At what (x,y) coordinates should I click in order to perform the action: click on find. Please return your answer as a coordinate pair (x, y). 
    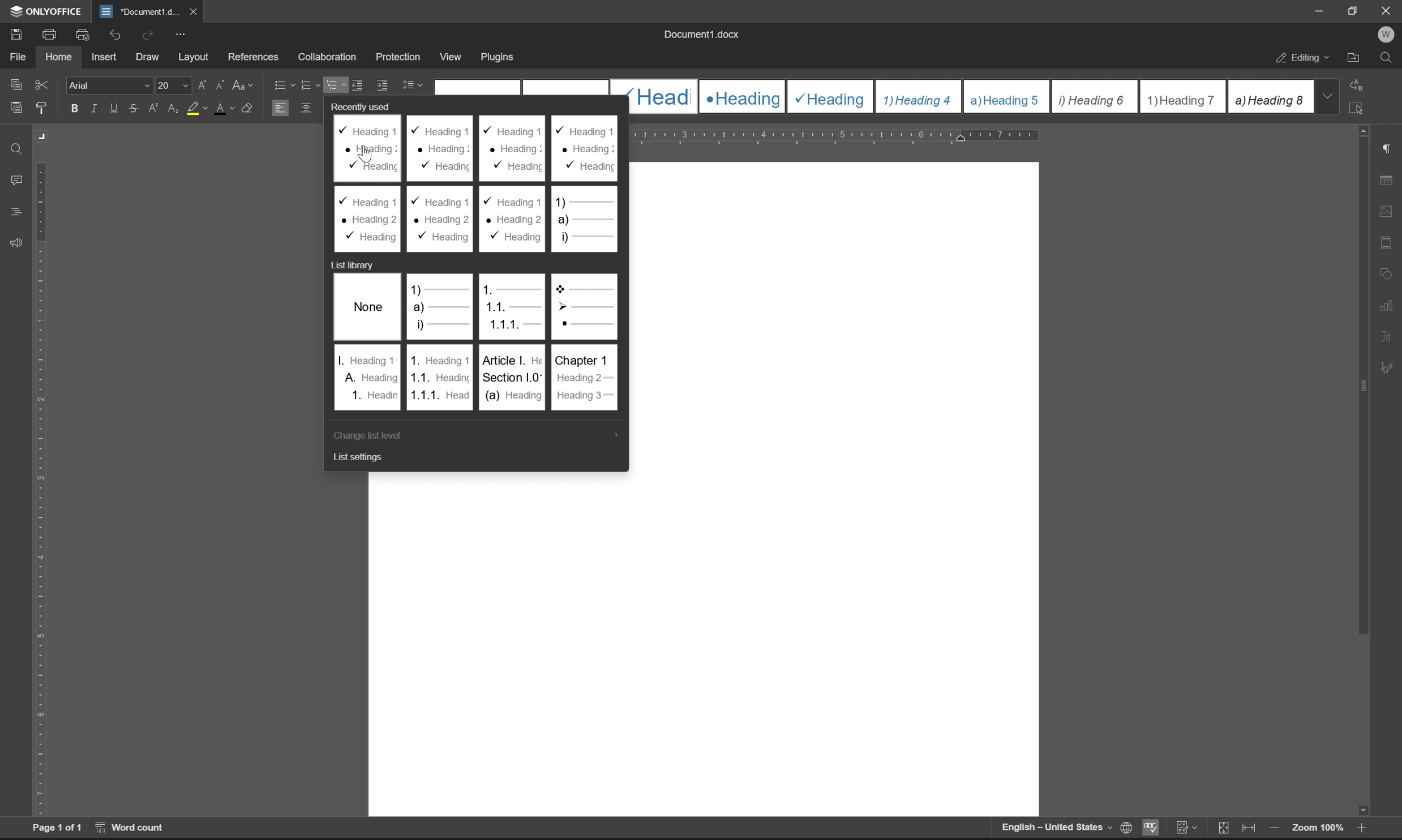
    Looking at the image, I should click on (1386, 58).